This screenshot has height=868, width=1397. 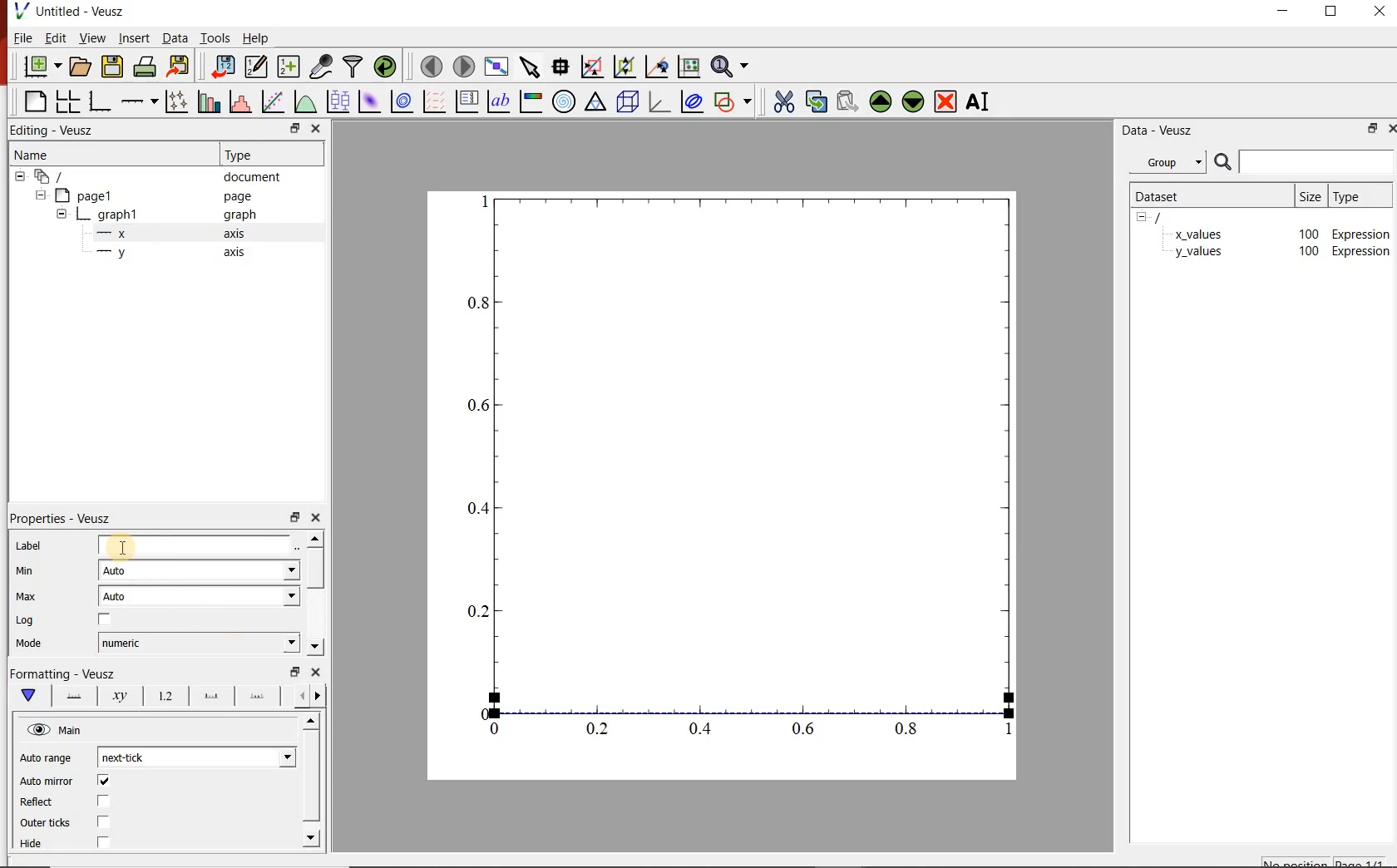 What do you see at coordinates (48, 780) in the screenshot?
I see `‘Auto mirror` at bounding box center [48, 780].